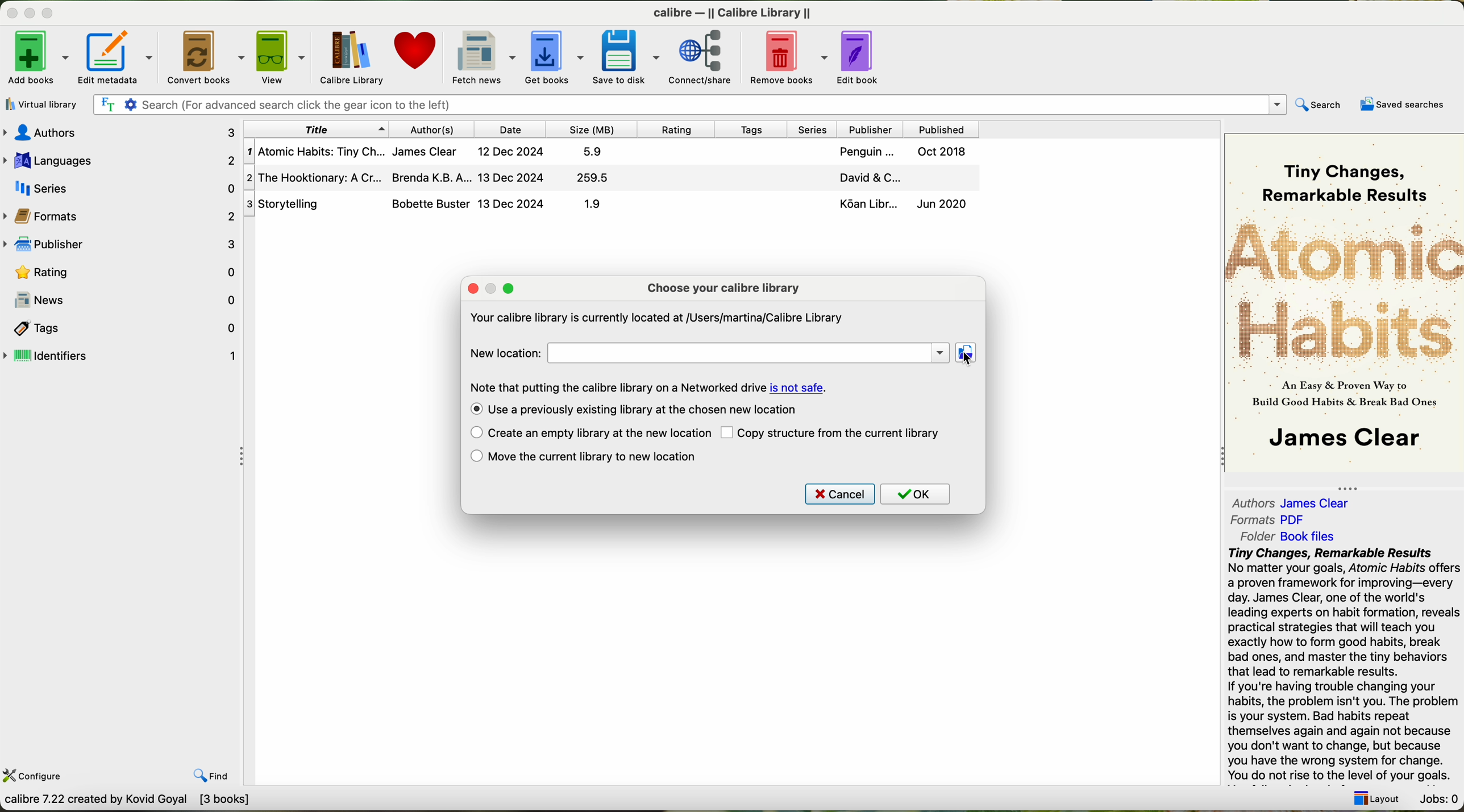 The width and height of the screenshot is (1464, 812). Describe the element at coordinates (723, 288) in the screenshot. I see `choose your calibre library` at that location.